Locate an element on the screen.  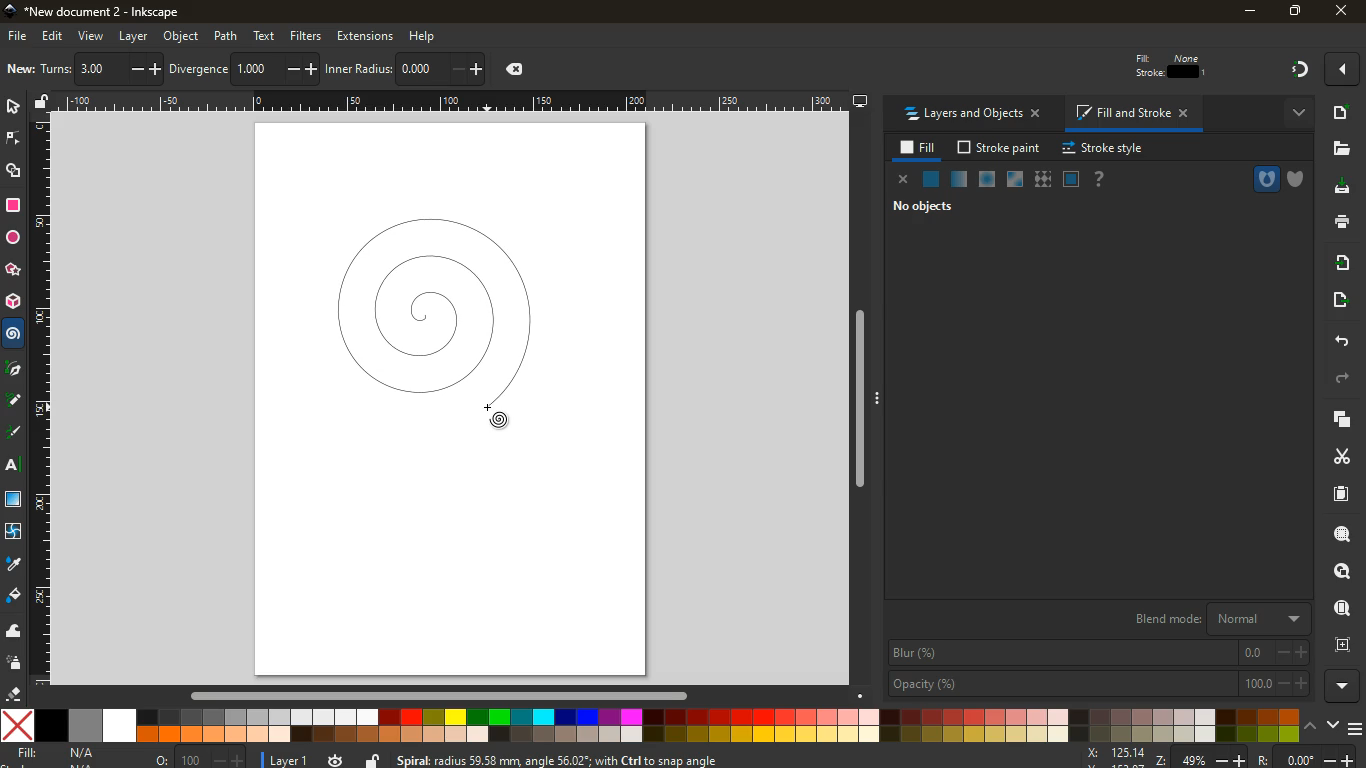
more is located at coordinates (1340, 71).